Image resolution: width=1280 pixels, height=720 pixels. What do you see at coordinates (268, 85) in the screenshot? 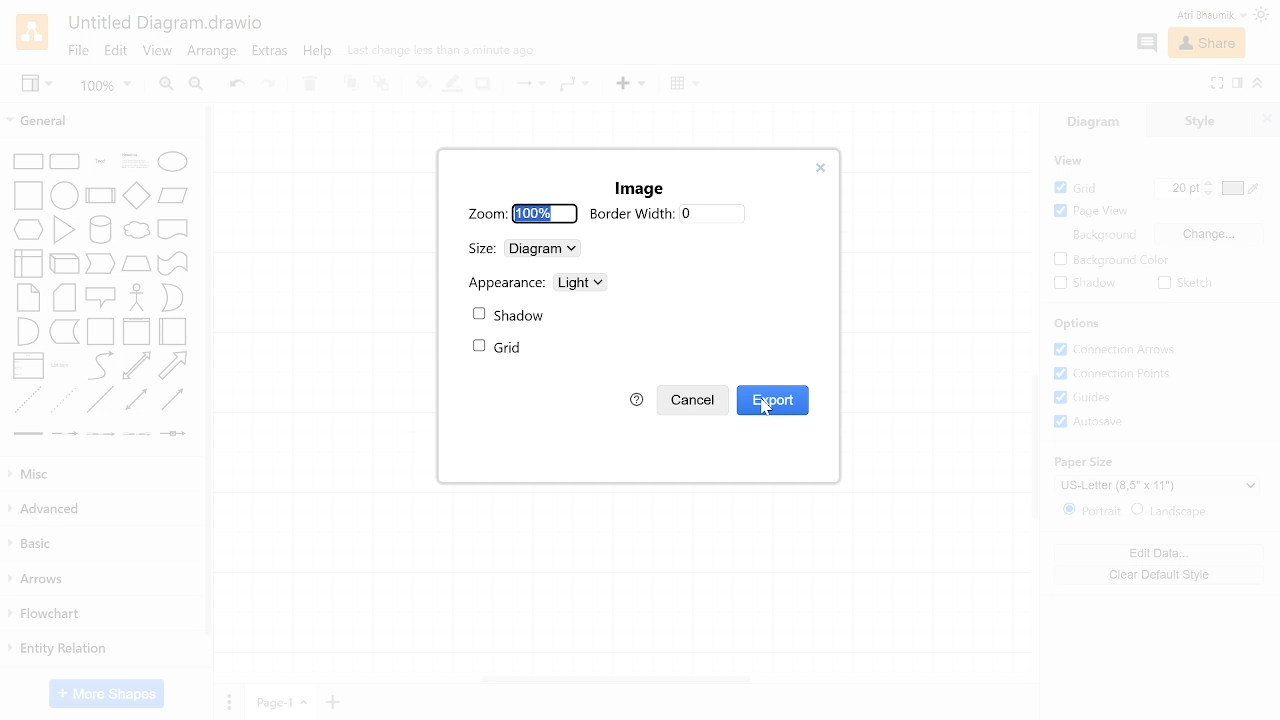
I see `Redo` at bounding box center [268, 85].